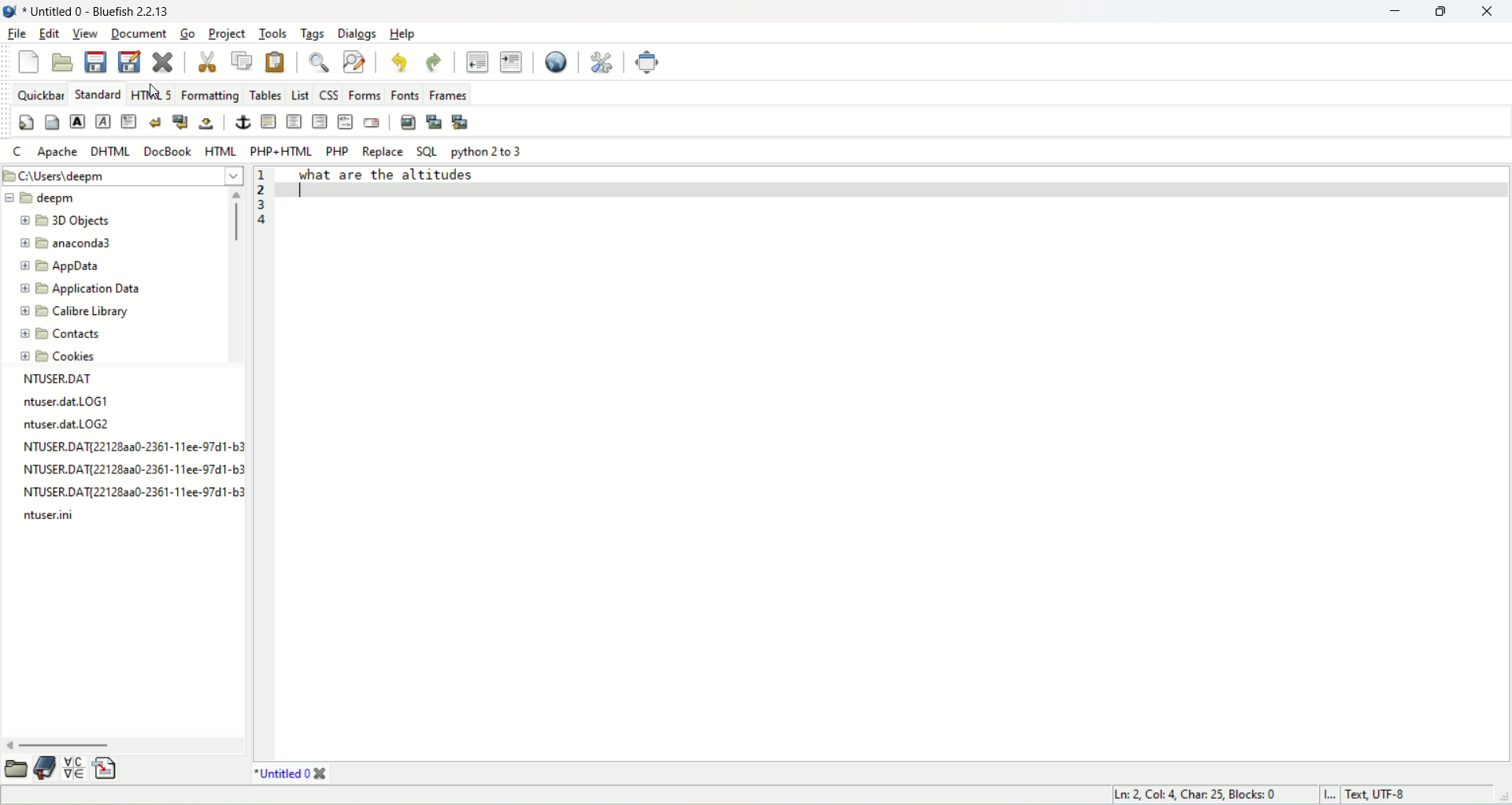  Describe the element at coordinates (17, 36) in the screenshot. I see `file` at that location.